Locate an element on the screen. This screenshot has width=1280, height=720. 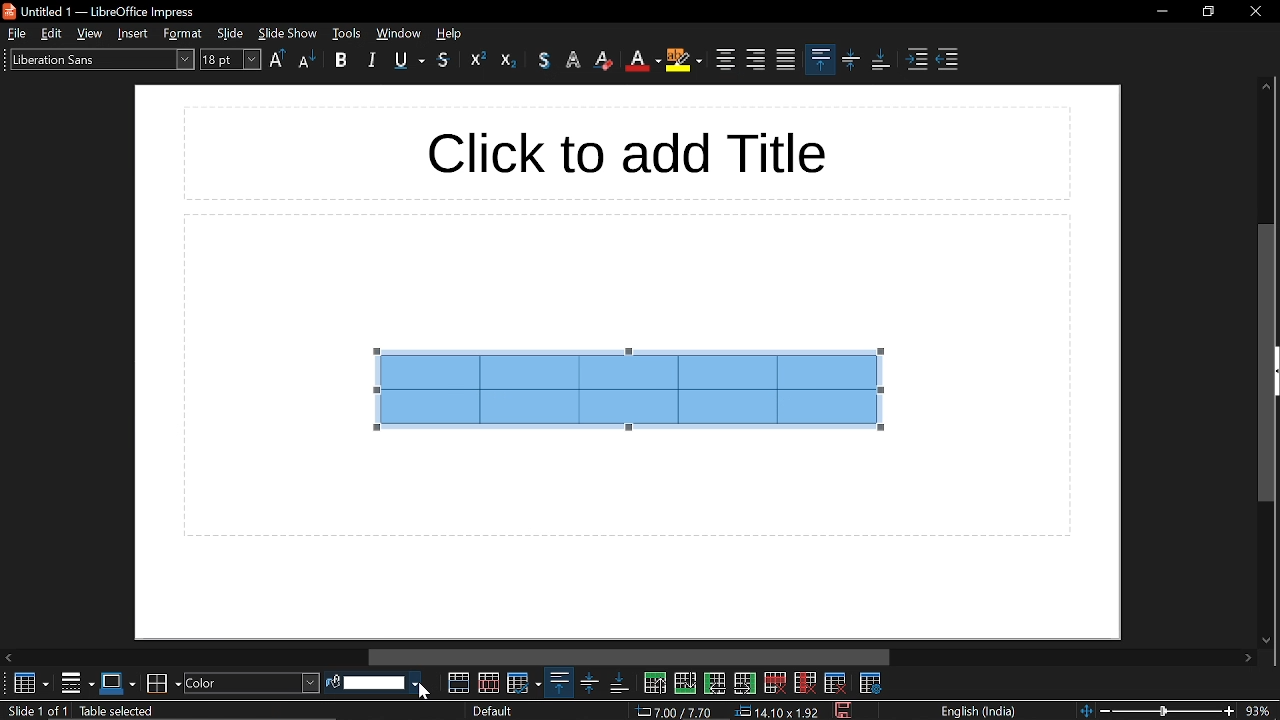
click to add title is located at coordinates (634, 153).